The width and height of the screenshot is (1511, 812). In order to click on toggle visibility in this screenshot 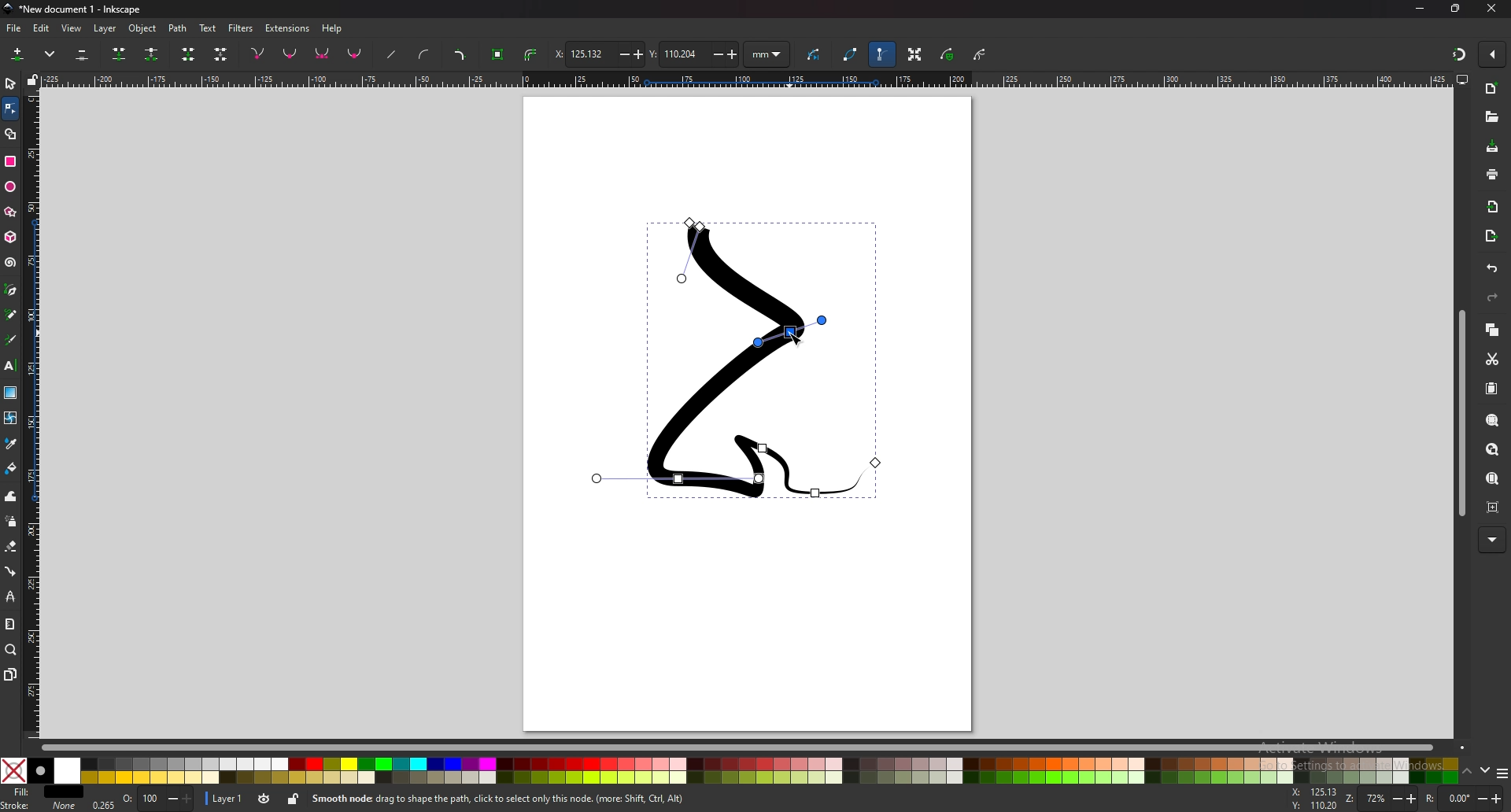, I will do `click(263, 799)`.